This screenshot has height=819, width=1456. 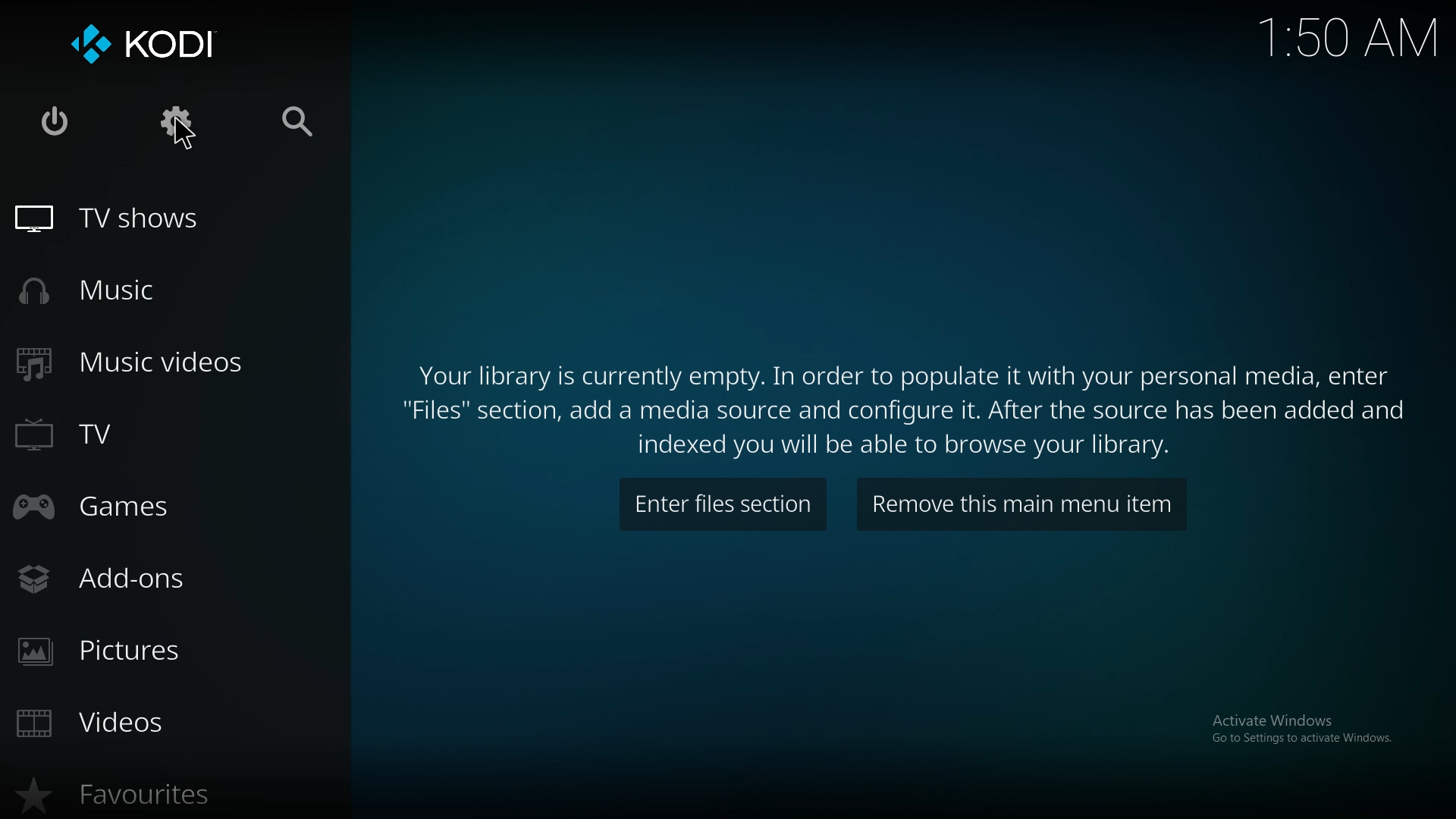 What do you see at coordinates (1022, 502) in the screenshot?
I see `Remove this main menu item` at bounding box center [1022, 502].